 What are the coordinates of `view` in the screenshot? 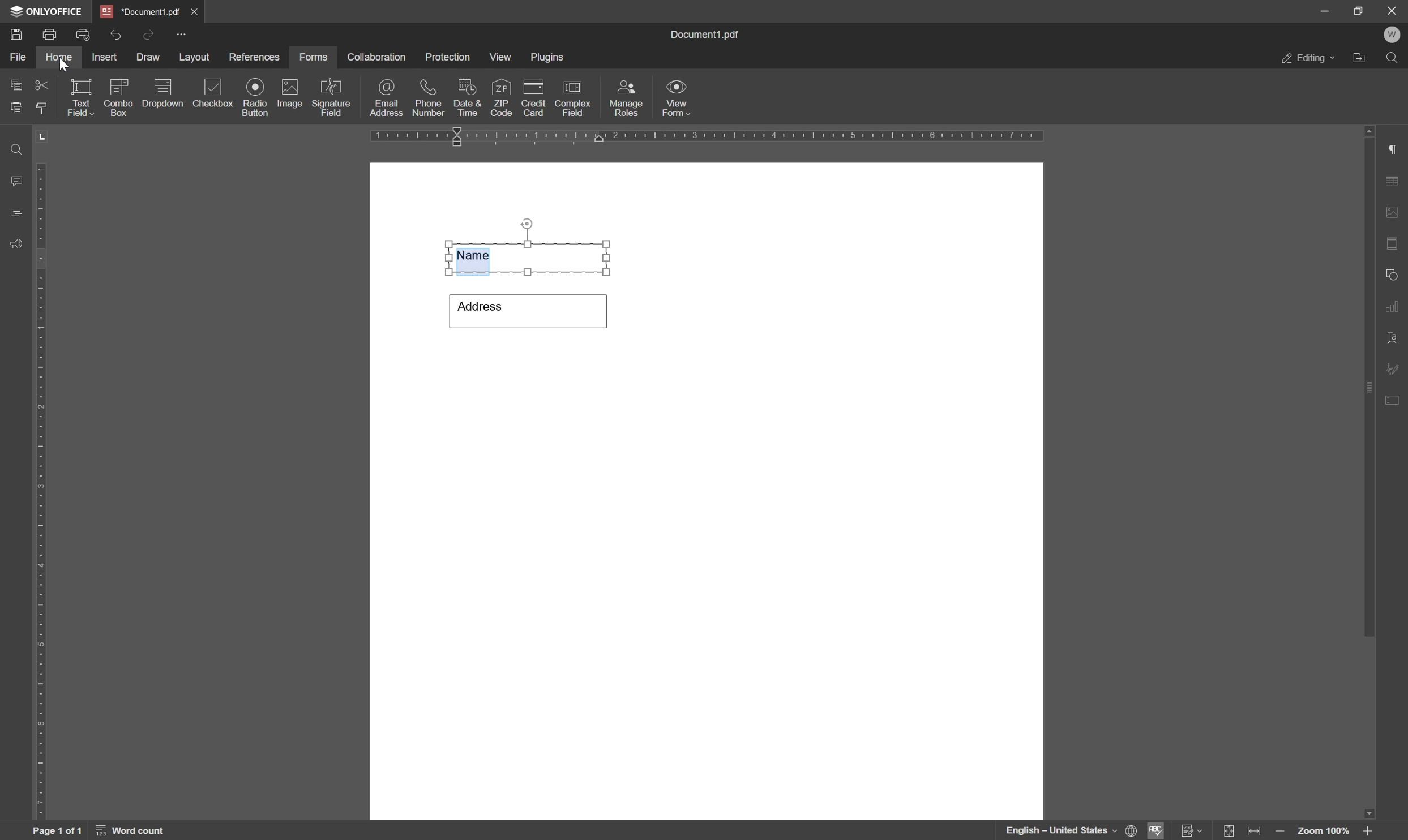 It's located at (502, 57).